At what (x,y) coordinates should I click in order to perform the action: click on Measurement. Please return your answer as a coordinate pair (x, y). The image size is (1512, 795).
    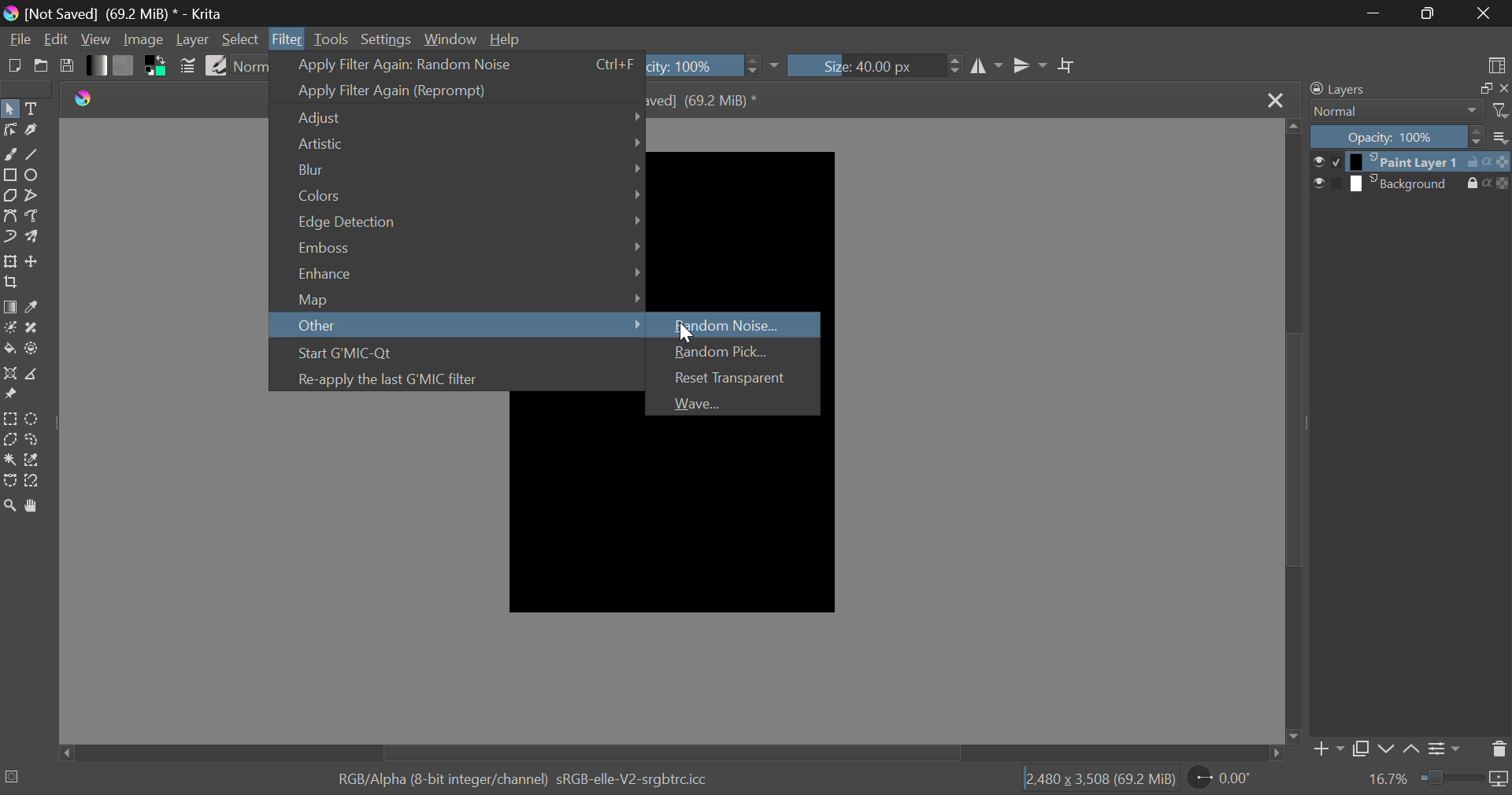
    Looking at the image, I should click on (34, 375).